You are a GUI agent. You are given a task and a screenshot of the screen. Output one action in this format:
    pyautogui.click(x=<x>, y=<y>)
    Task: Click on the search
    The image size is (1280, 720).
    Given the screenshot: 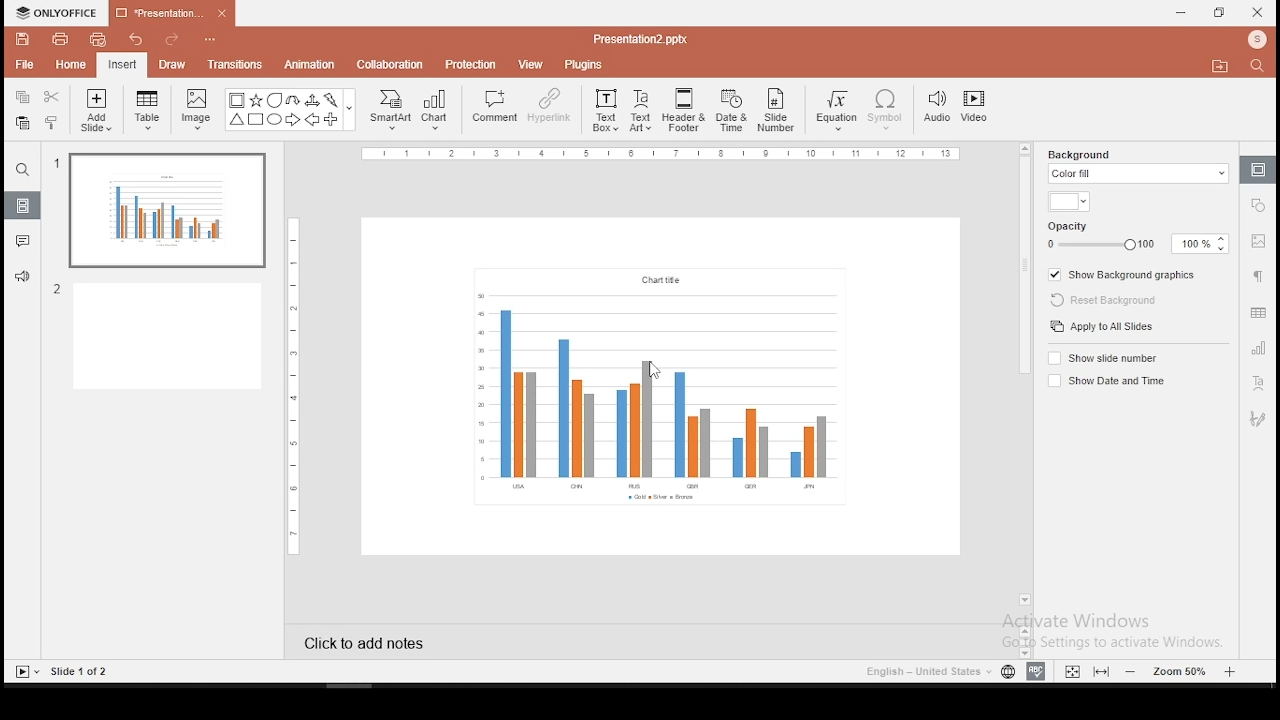 What is the action you would take?
    pyautogui.click(x=1260, y=67)
    